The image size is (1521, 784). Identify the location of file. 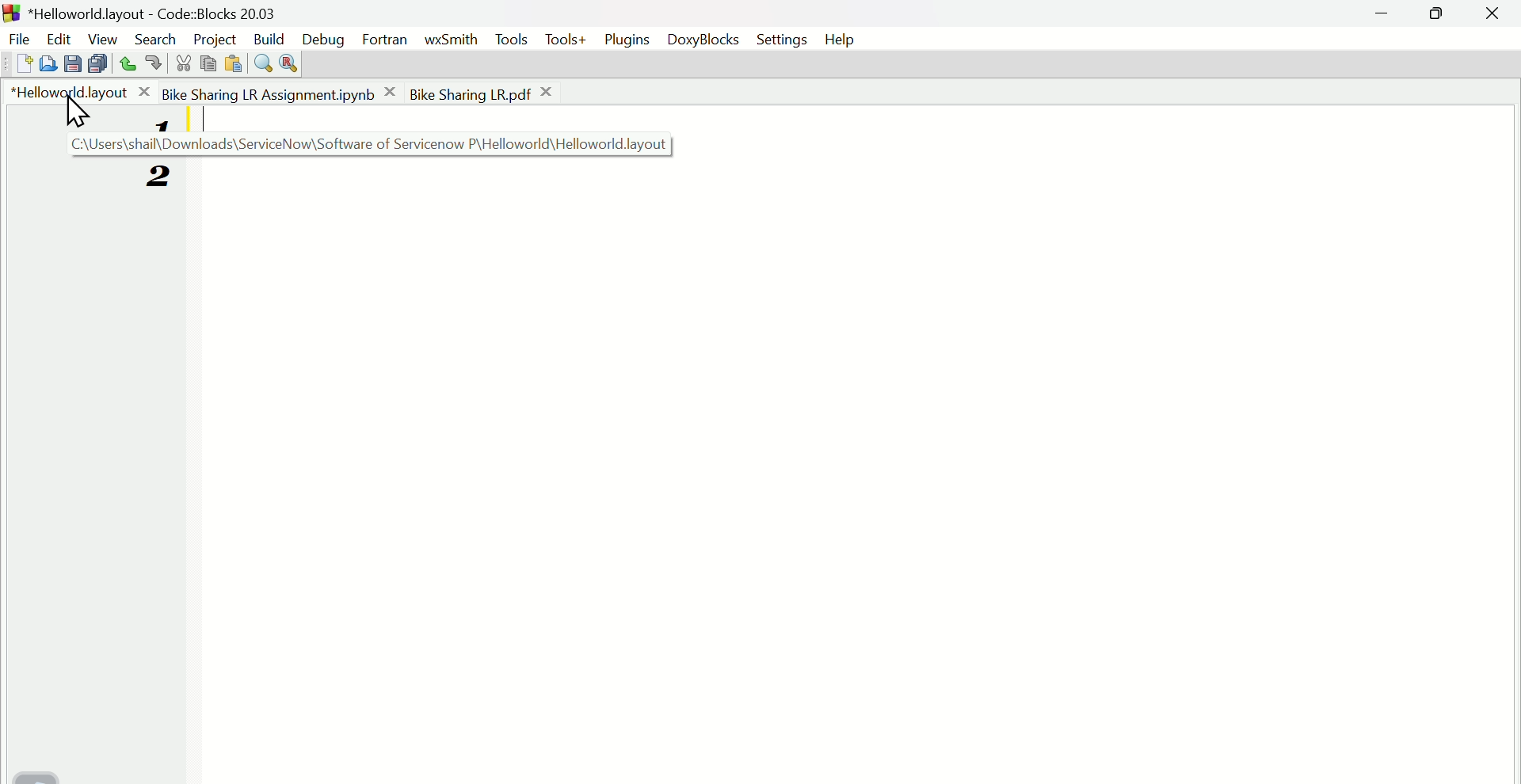
(18, 37).